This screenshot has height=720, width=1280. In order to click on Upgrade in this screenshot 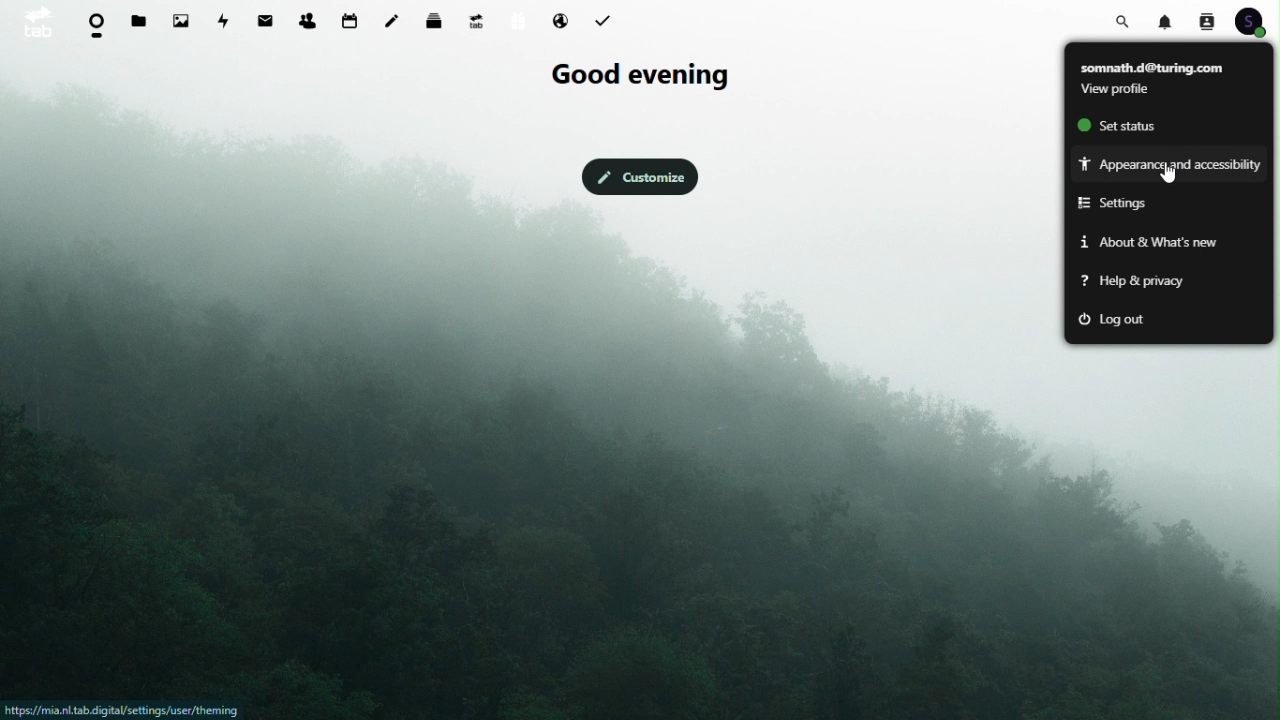, I will do `click(476, 20)`.